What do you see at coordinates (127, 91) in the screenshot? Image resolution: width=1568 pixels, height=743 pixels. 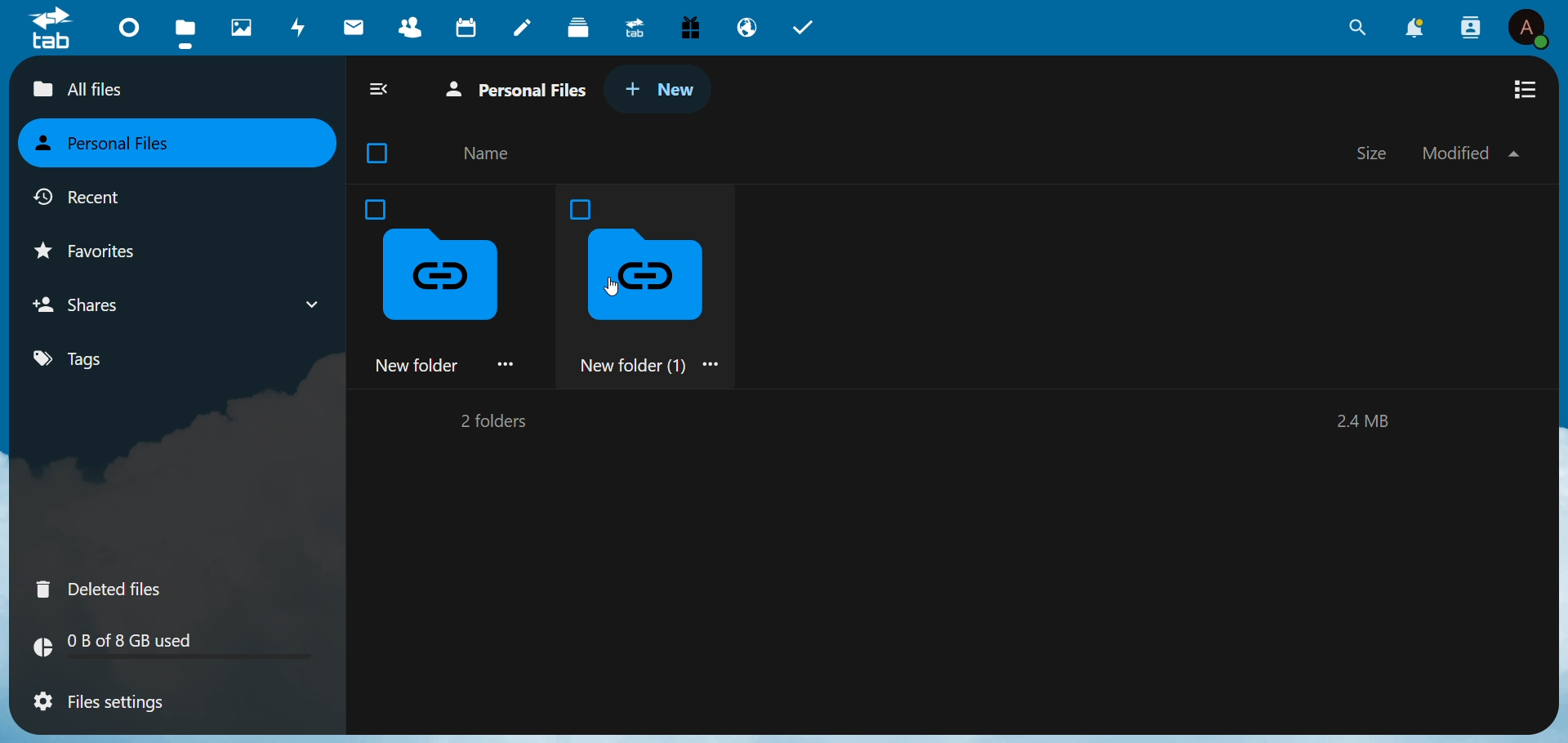 I see `all files` at bounding box center [127, 91].